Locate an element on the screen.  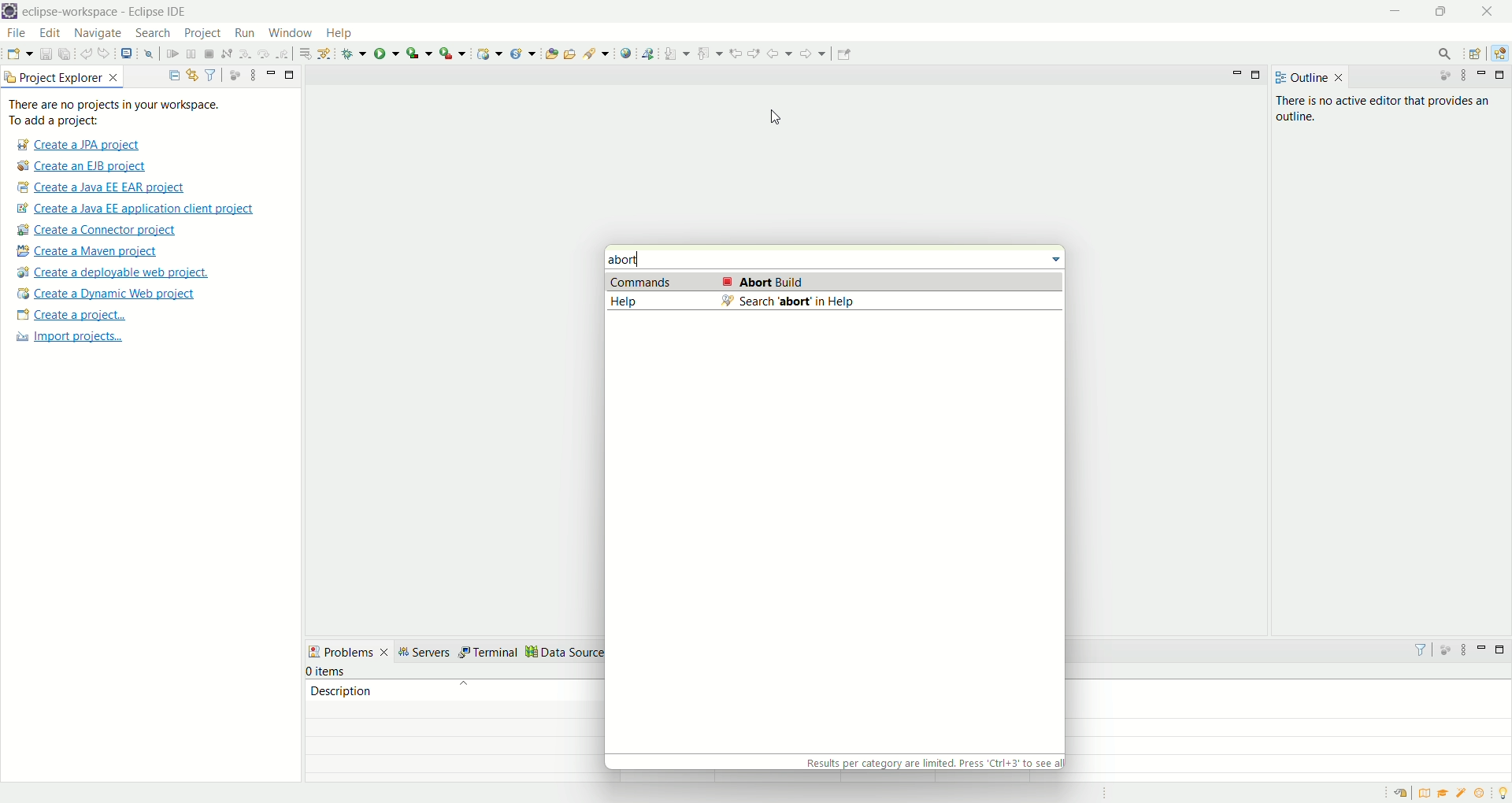
servers is located at coordinates (427, 652).